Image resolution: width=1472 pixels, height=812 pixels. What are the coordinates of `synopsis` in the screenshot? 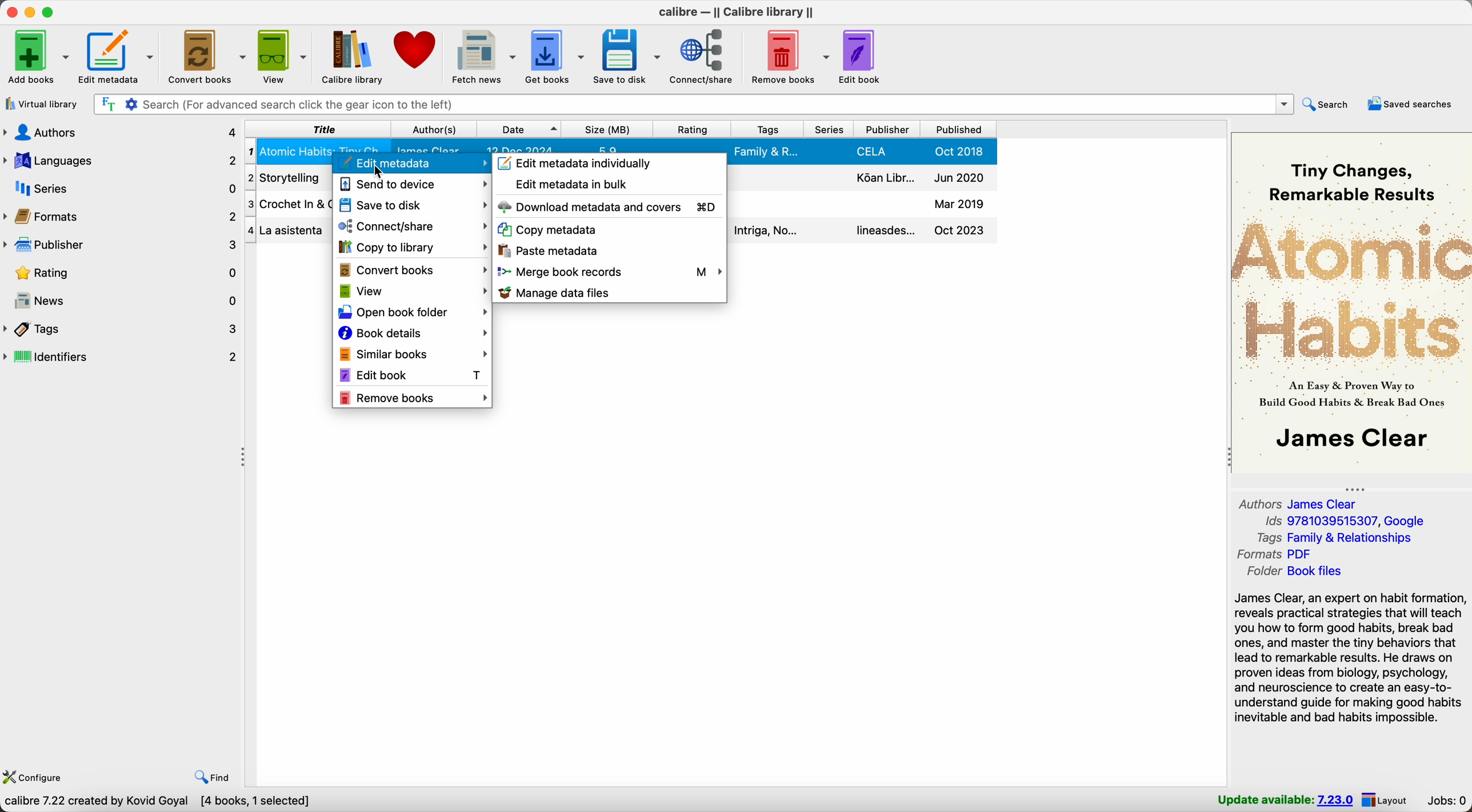 It's located at (1350, 658).